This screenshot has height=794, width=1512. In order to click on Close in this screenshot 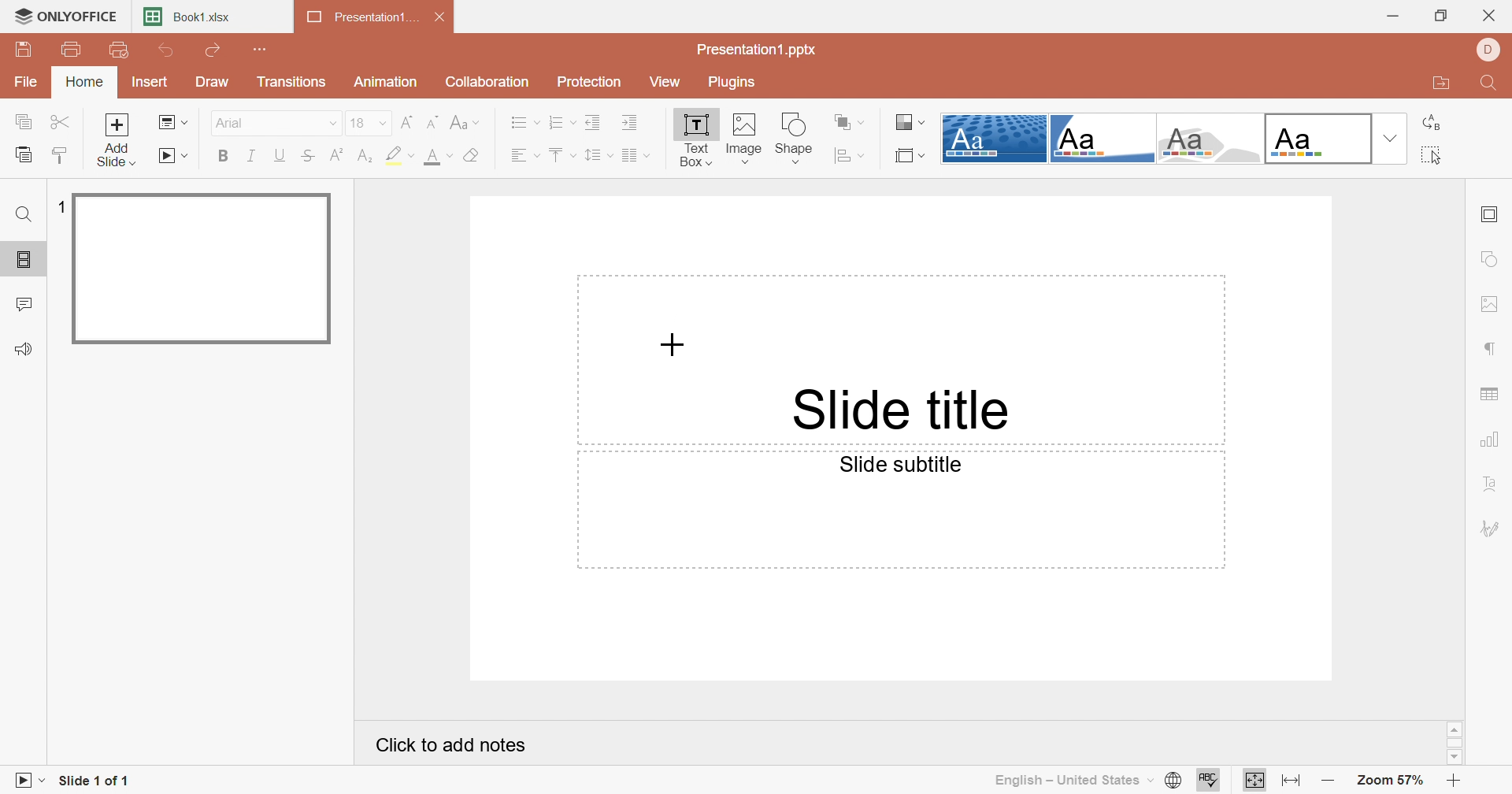, I will do `click(1492, 12)`.